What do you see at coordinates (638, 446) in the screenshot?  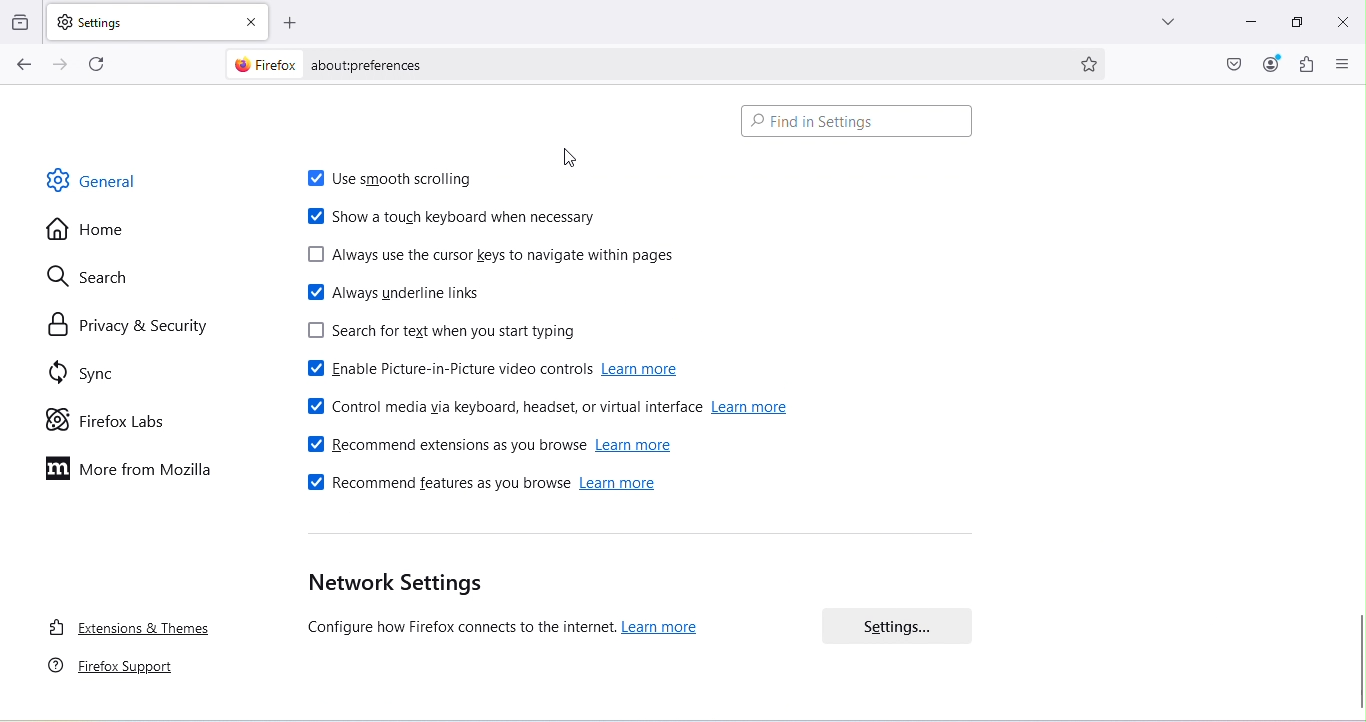 I see `learn more` at bounding box center [638, 446].